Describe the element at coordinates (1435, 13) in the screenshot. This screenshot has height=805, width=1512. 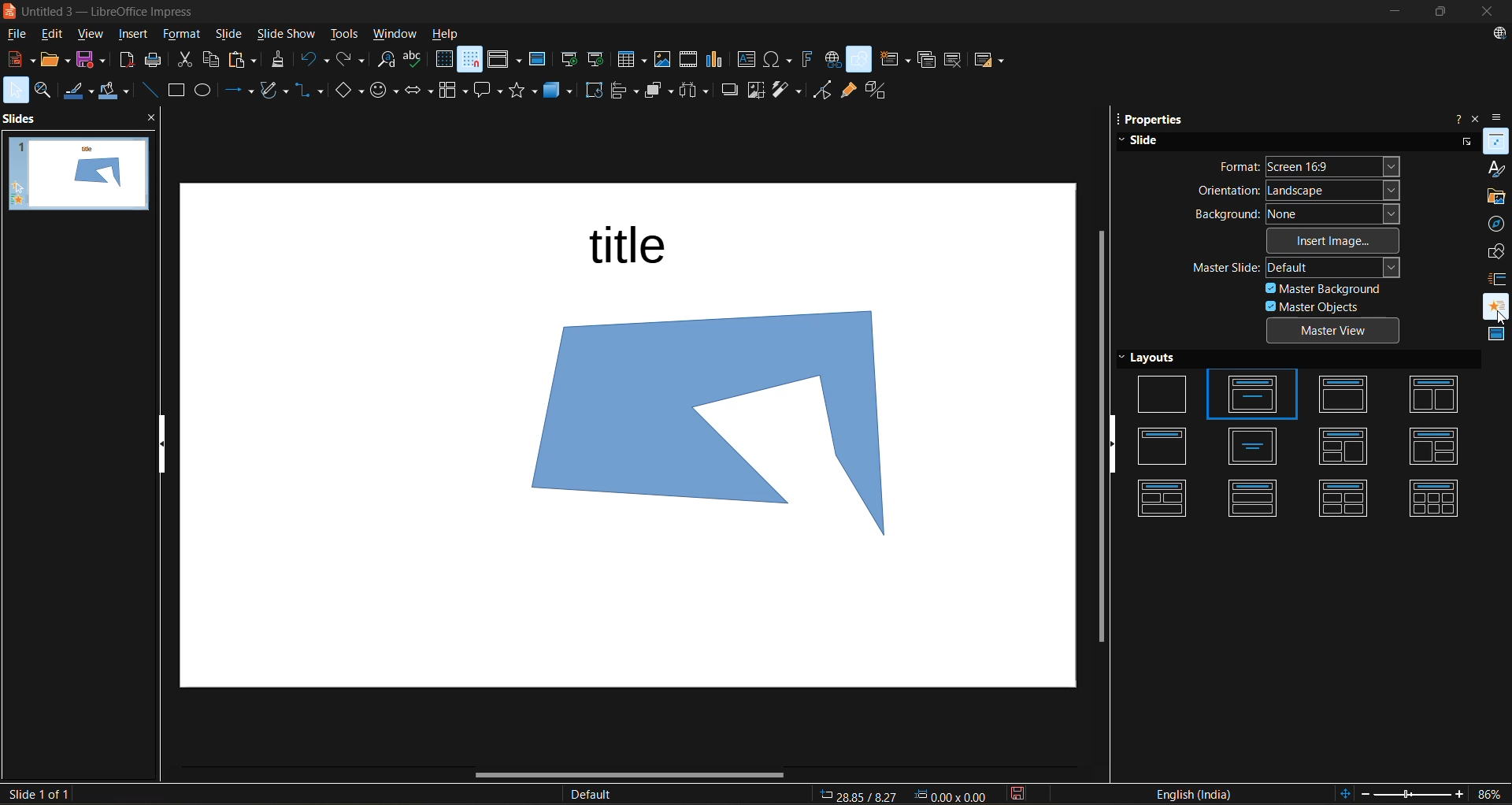
I see `maximize` at that location.